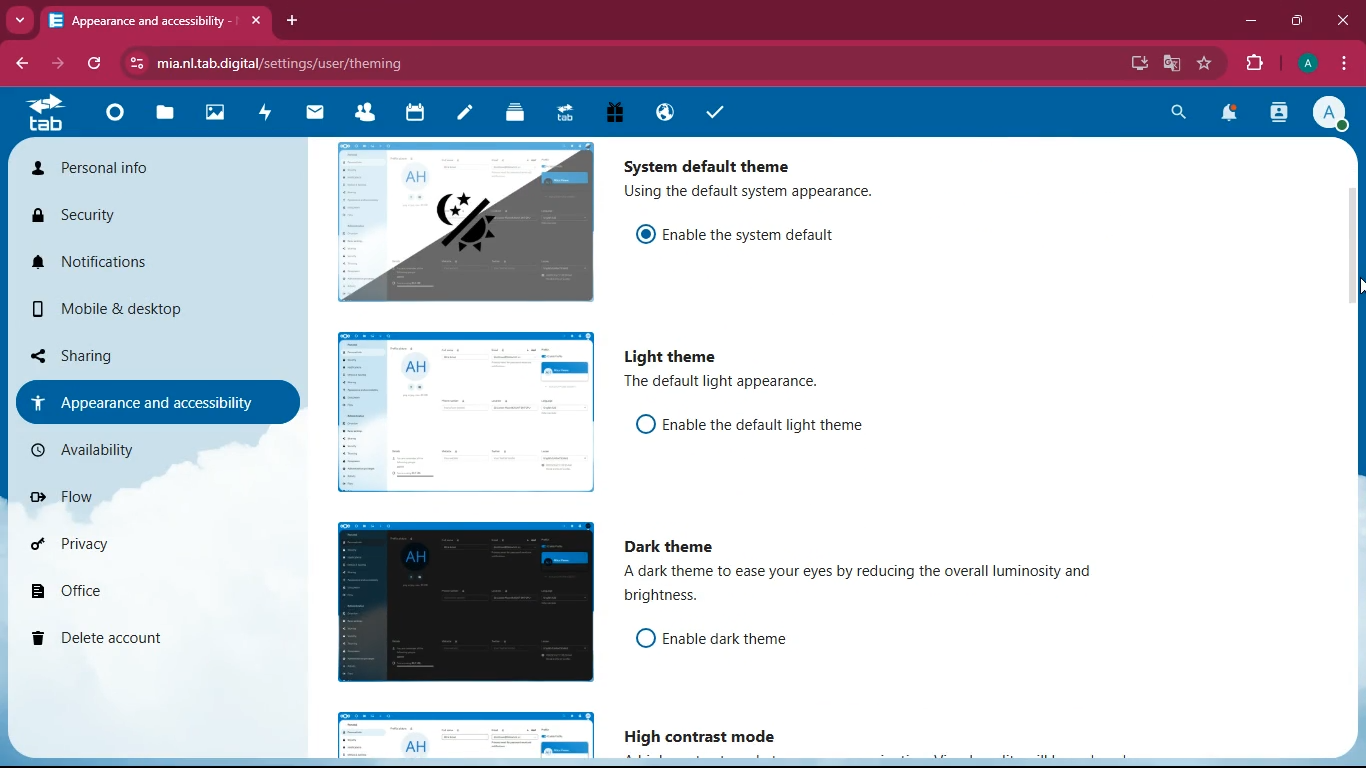 The width and height of the screenshot is (1366, 768). What do you see at coordinates (711, 162) in the screenshot?
I see `system default` at bounding box center [711, 162].